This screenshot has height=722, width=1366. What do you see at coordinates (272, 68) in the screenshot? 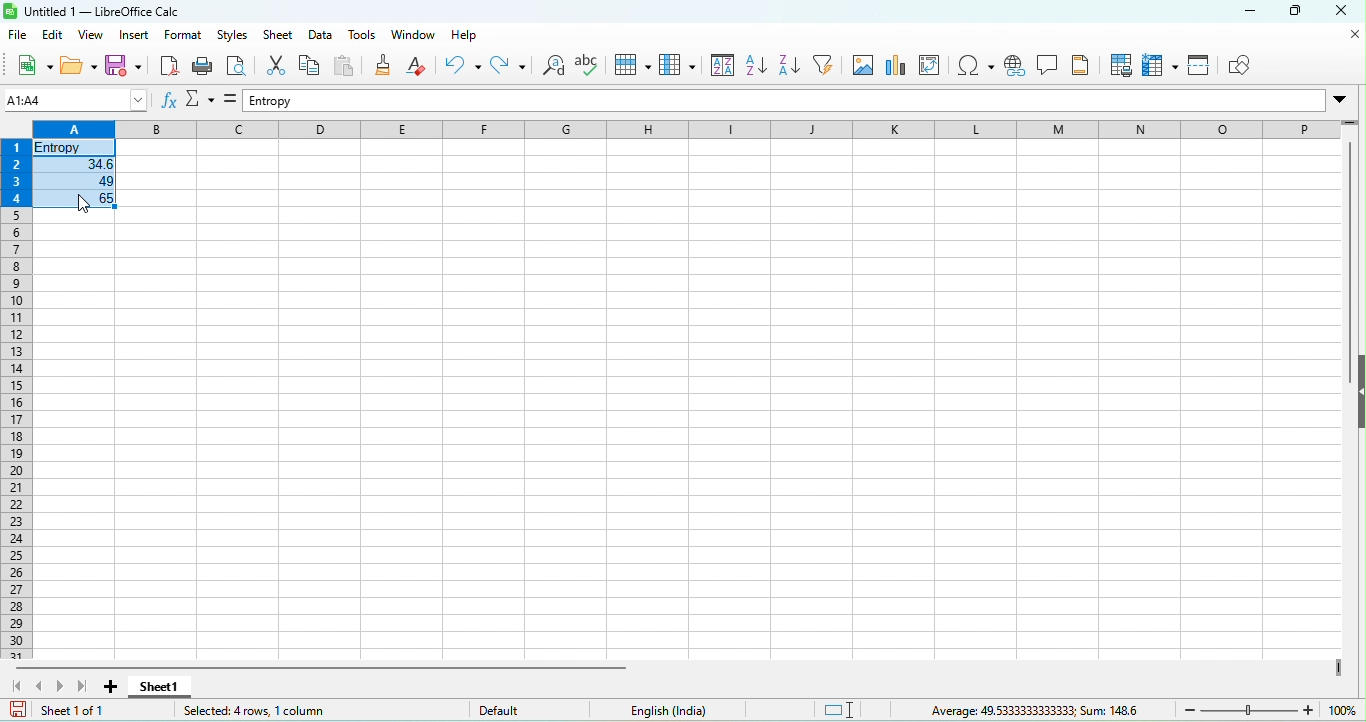
I see `cut` at bounding box center [272, 68].